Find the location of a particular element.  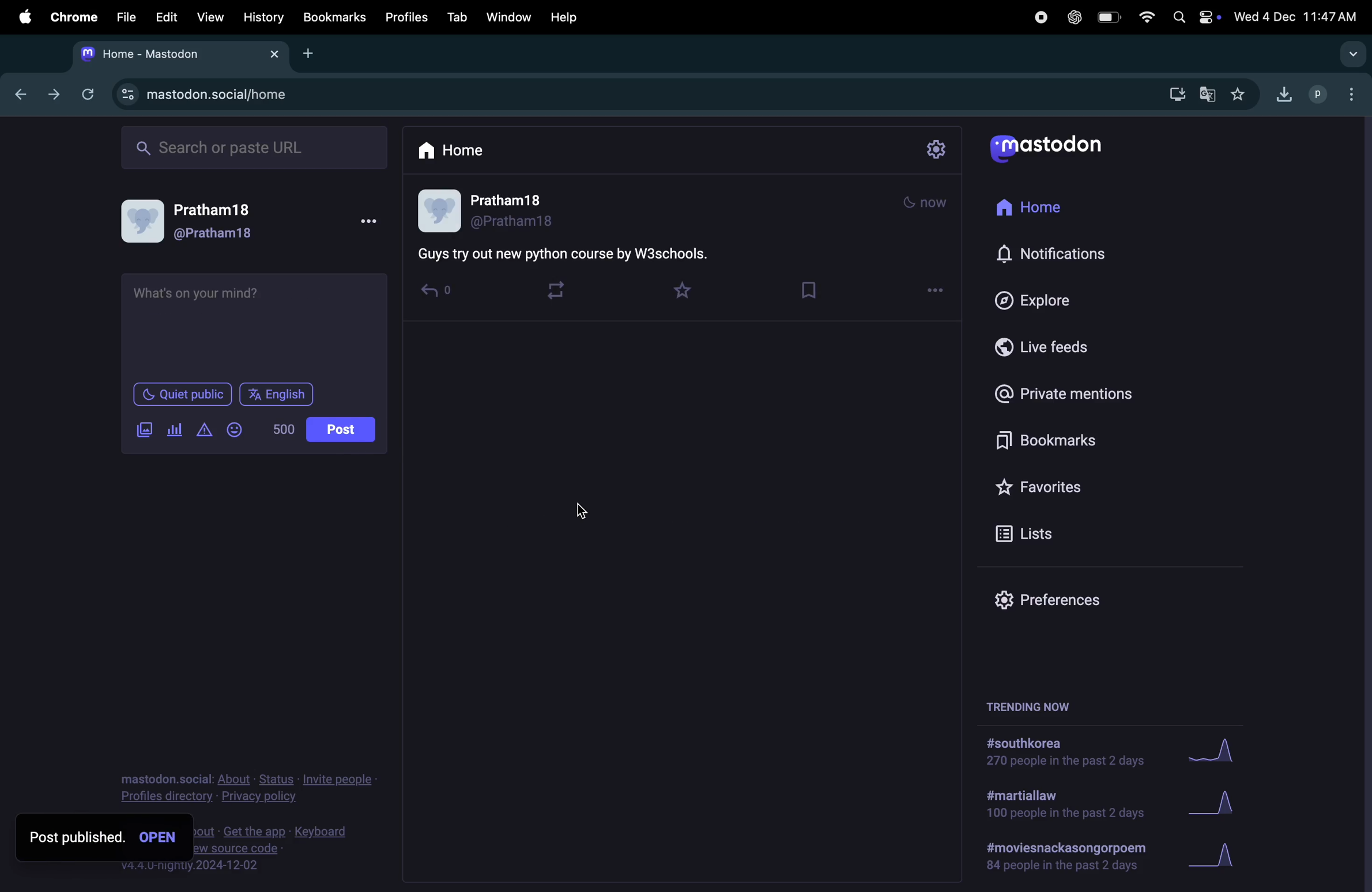

private  mentions is located at coordinates (1065, 392).